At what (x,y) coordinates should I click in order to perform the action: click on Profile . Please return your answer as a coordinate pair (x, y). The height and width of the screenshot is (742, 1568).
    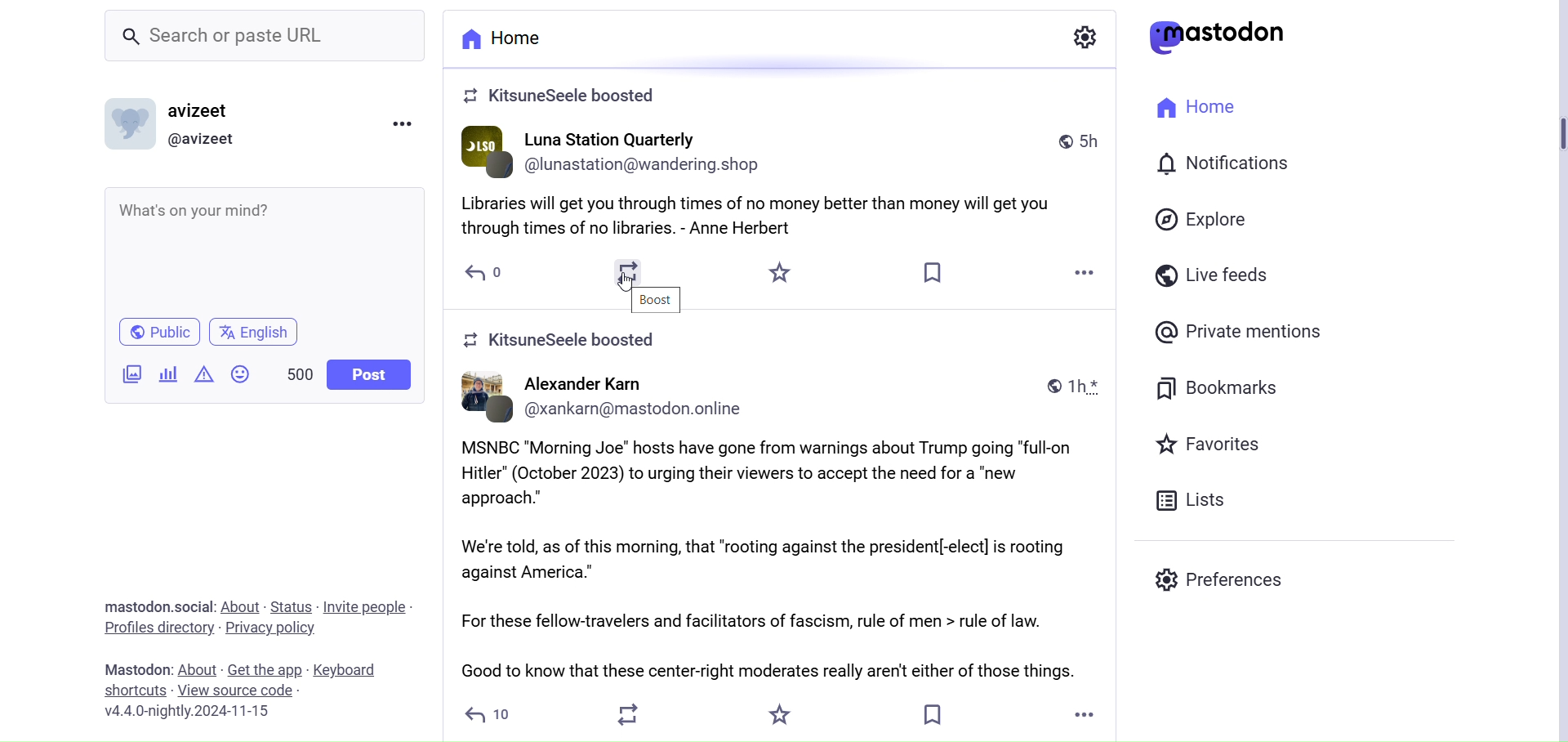
    Looking at the image, I should click on (207, 138).